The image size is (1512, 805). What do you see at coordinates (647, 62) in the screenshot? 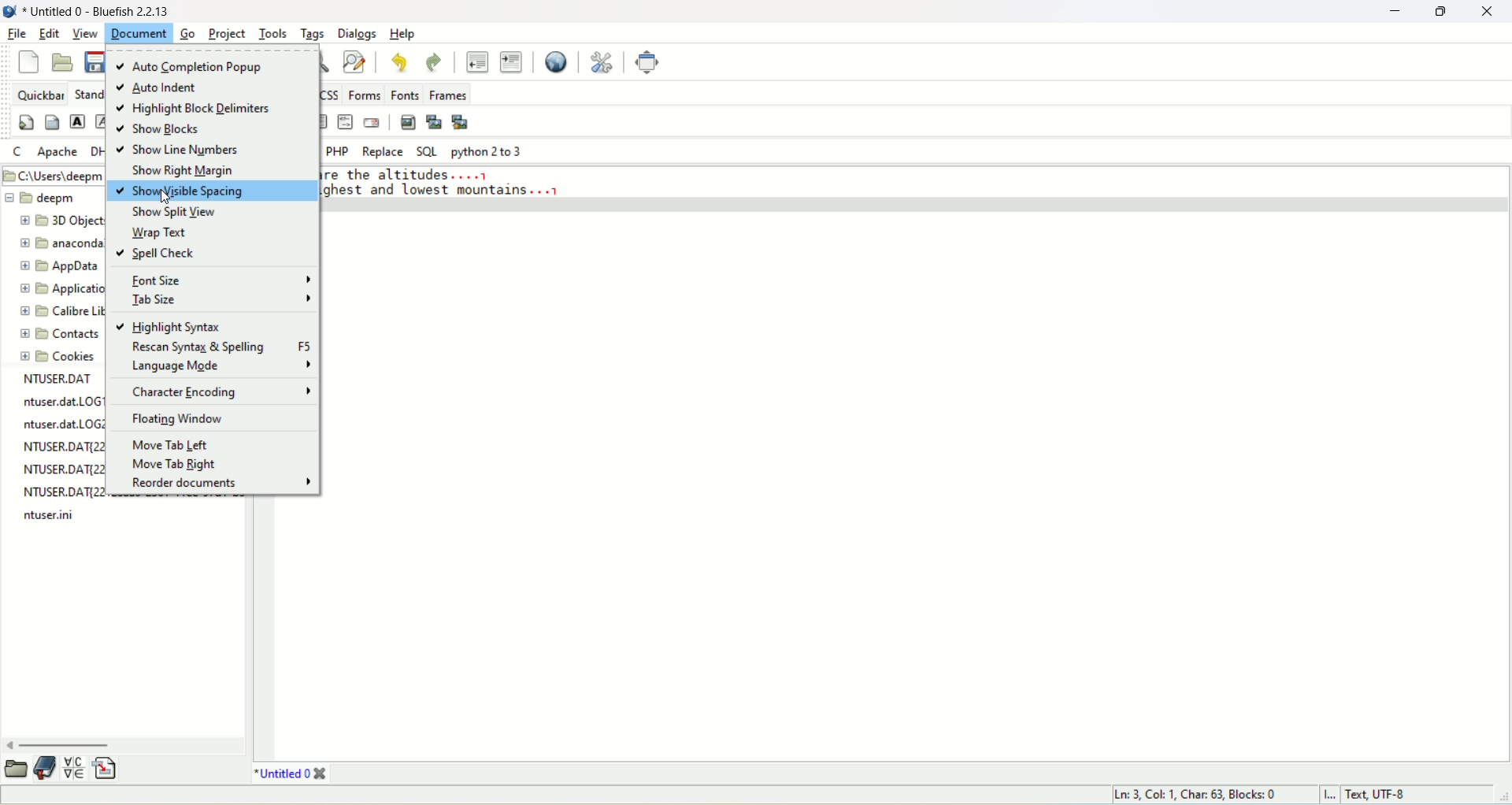
I see `full screen` at bounding box center [647, 62].